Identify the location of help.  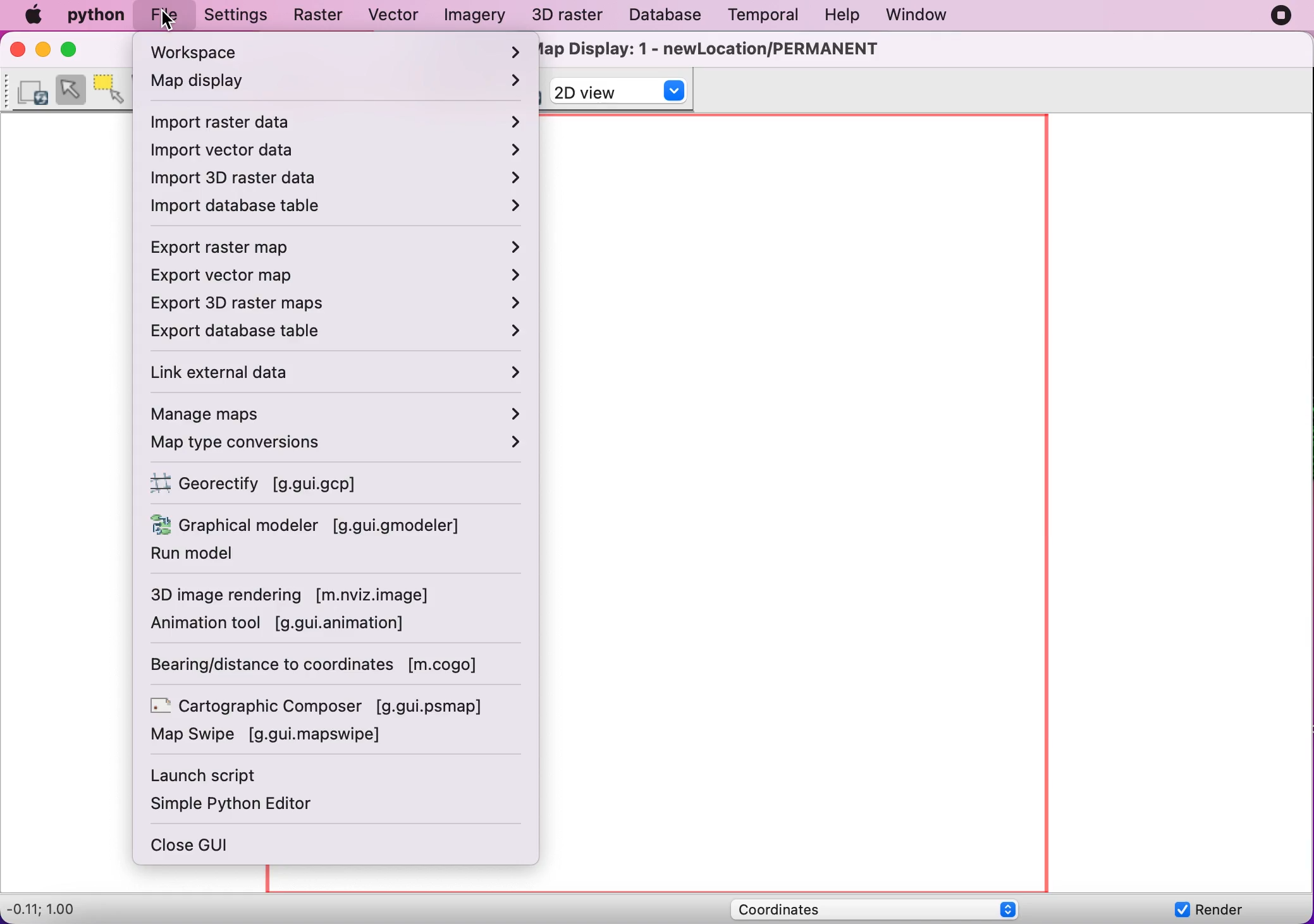
(849, 14).